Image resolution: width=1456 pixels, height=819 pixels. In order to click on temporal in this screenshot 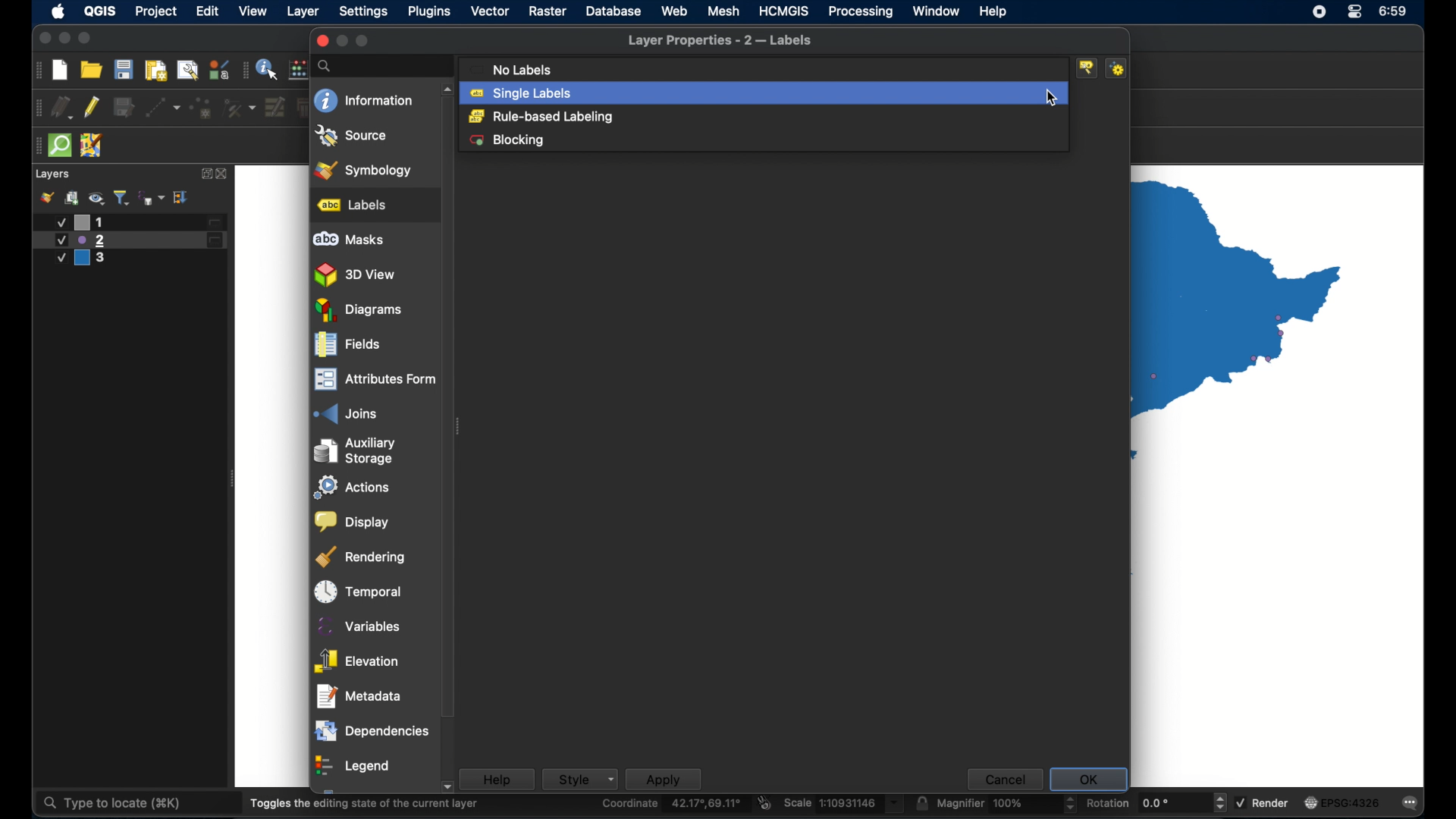, I will do `click(359, 591)`.